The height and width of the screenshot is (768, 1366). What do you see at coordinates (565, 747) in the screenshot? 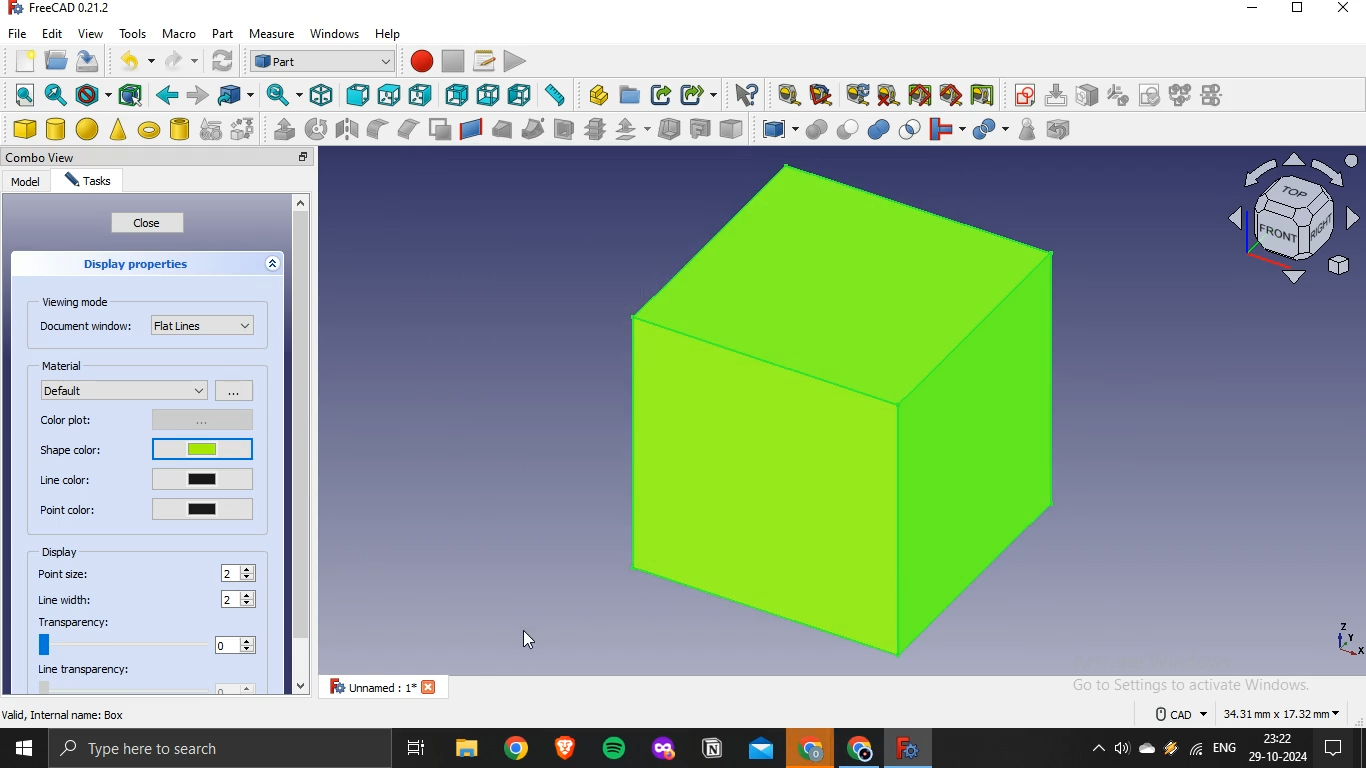
I see `brave` at bounding box center [565, 747].